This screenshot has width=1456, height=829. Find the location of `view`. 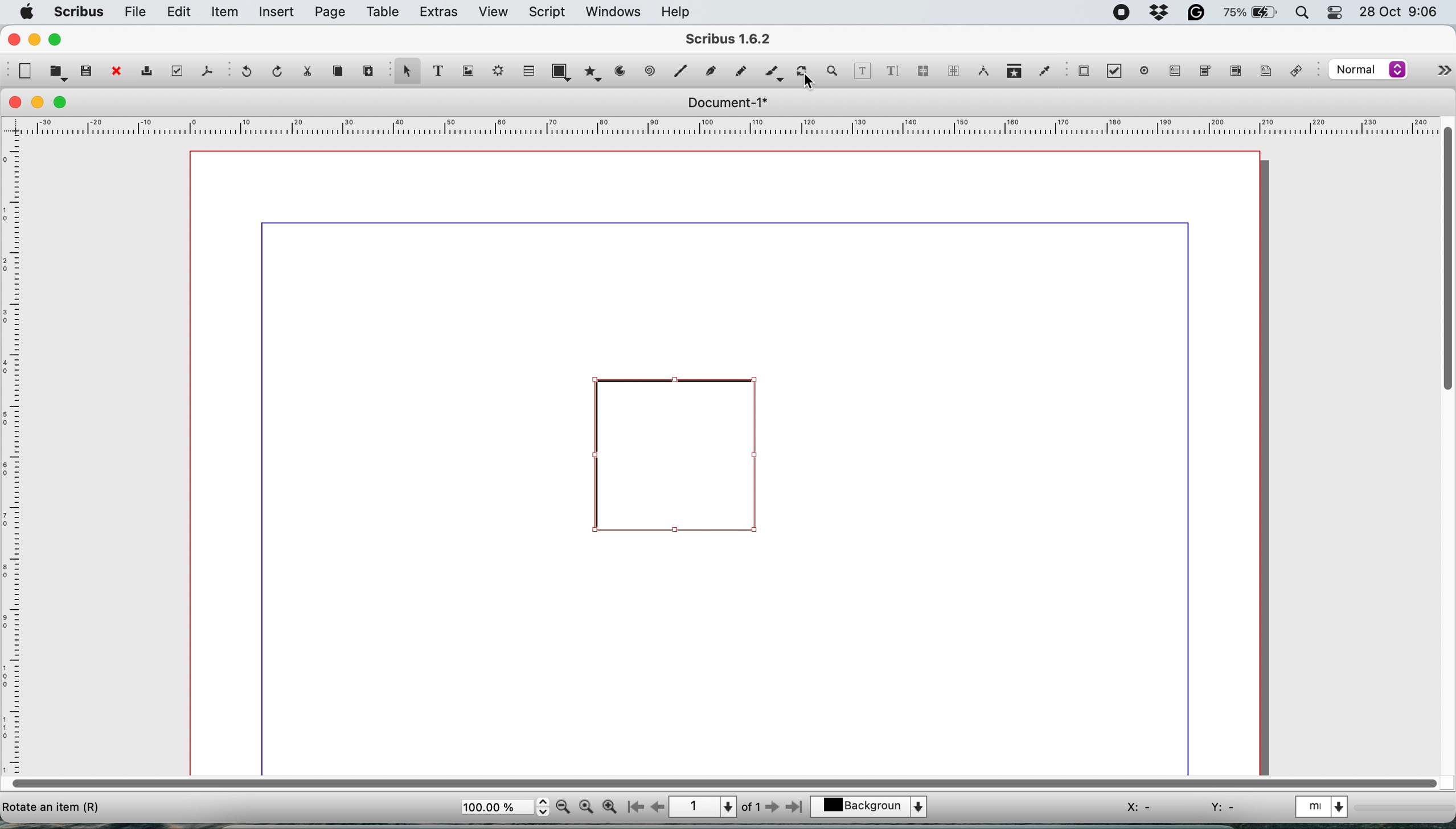

view is located at coordinates (493, 12).